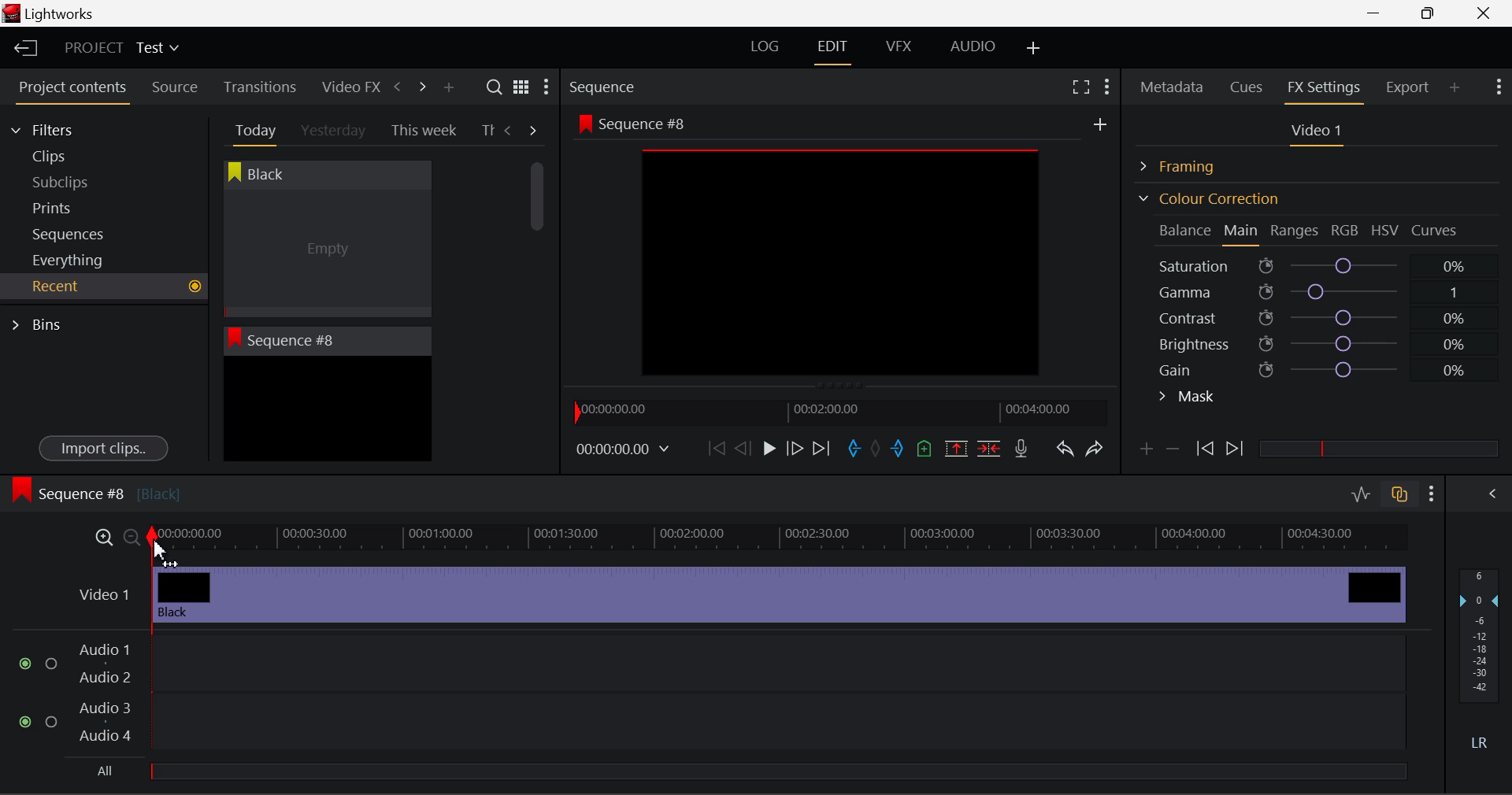 The height and width of the screenshot is (795, 1512). Describe the element at coordinates (1318, 341) in the screenshot. I see `Brightness` at that location.